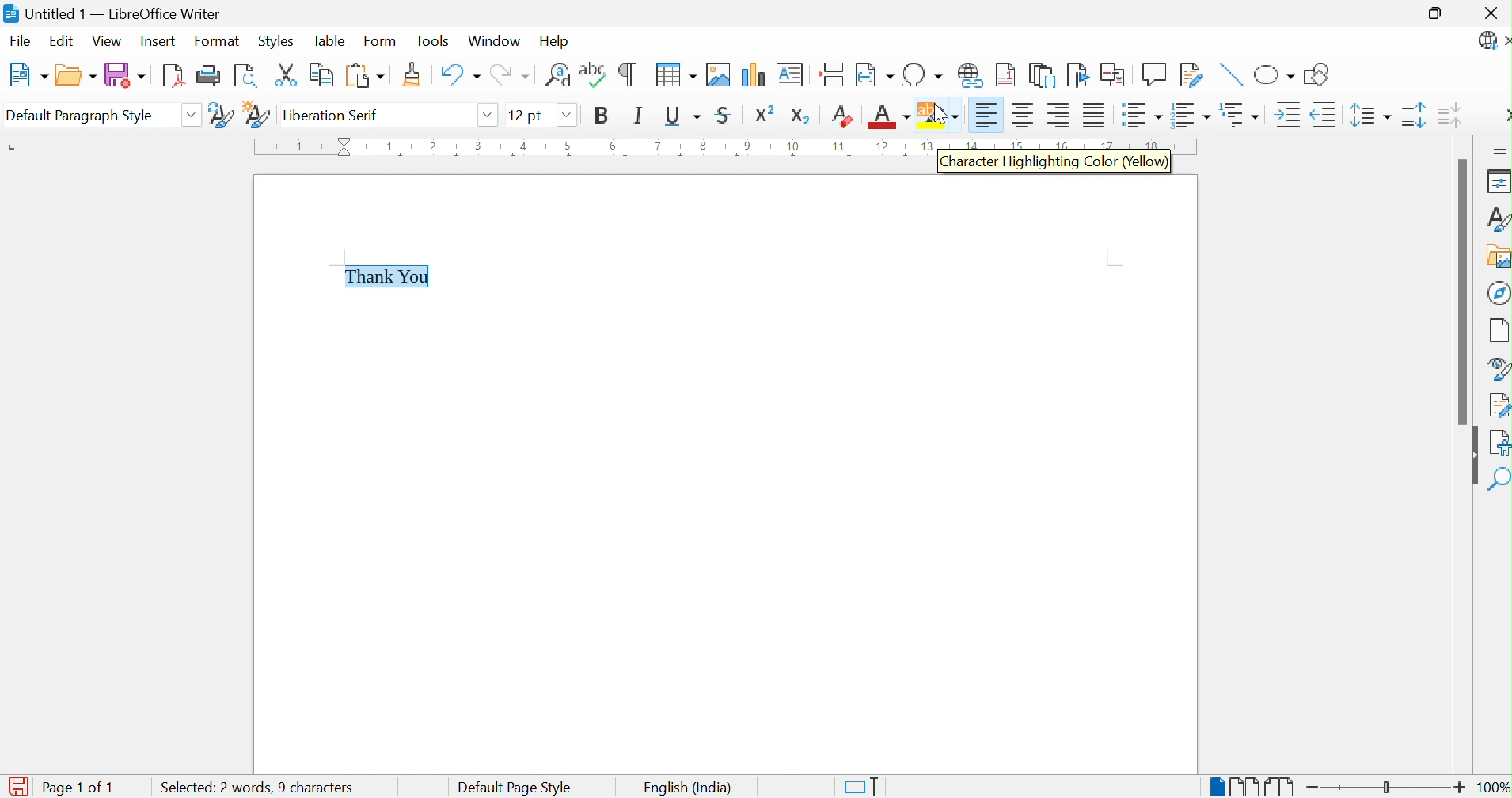 Image resolution: width=1512 pixels, height=798 pixels. What do you see at coordinates (862, 785) in the screenshot?
I see `Standard Selection. Click to change selection mode.` at bounding box center [862, 785].